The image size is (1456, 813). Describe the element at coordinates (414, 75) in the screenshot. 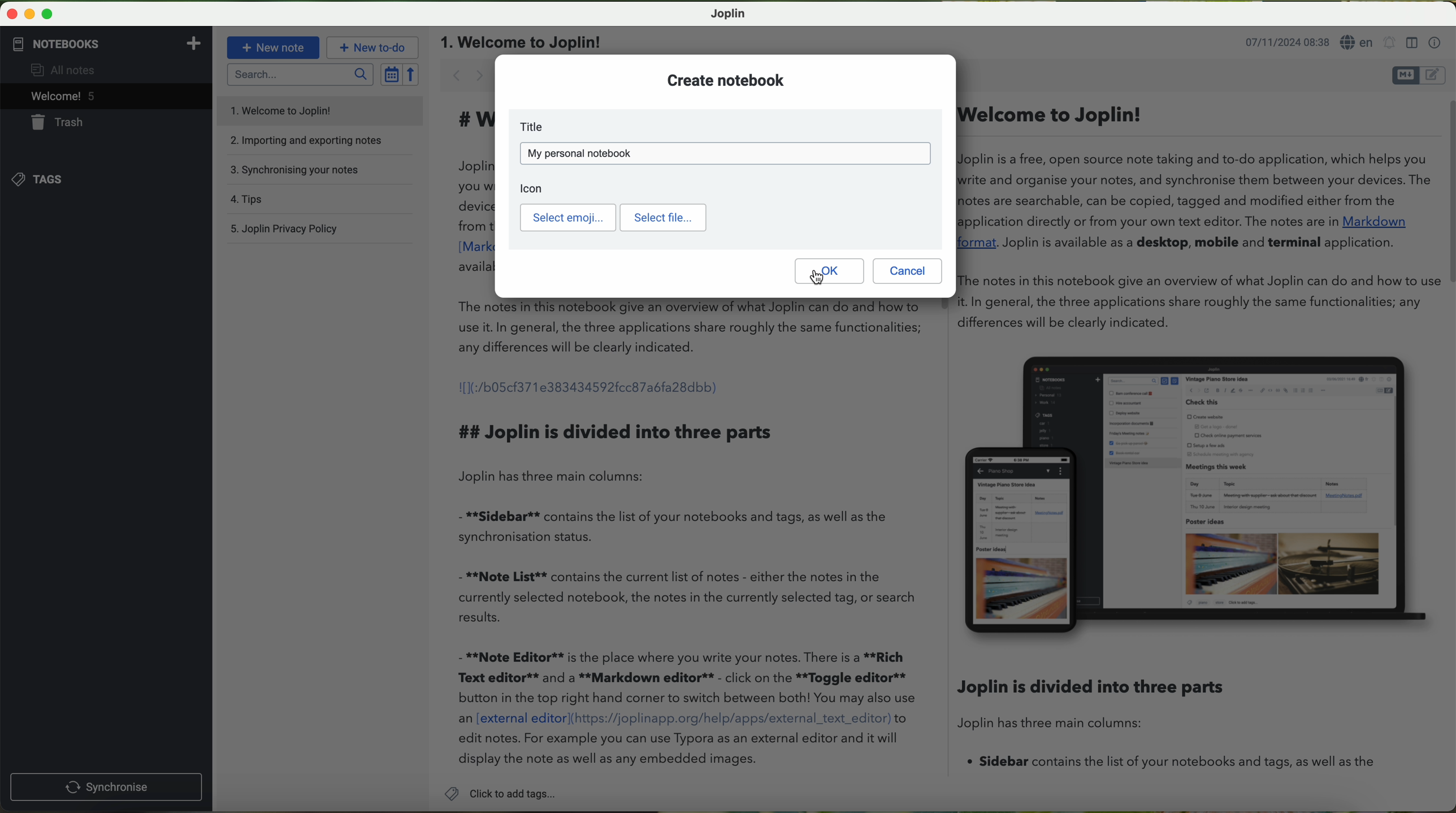

I see `` at that location.